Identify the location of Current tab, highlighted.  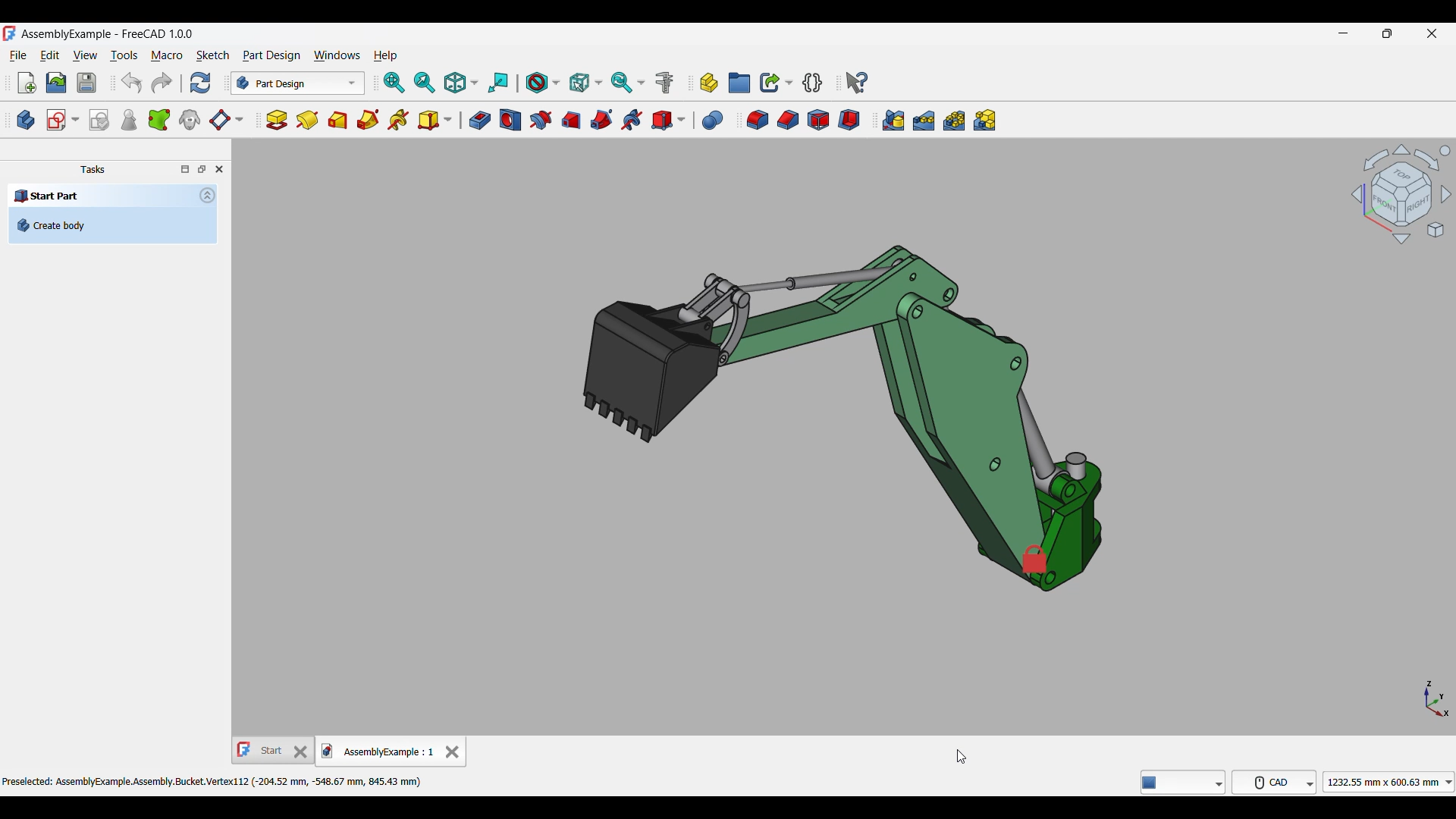
(379, 752).